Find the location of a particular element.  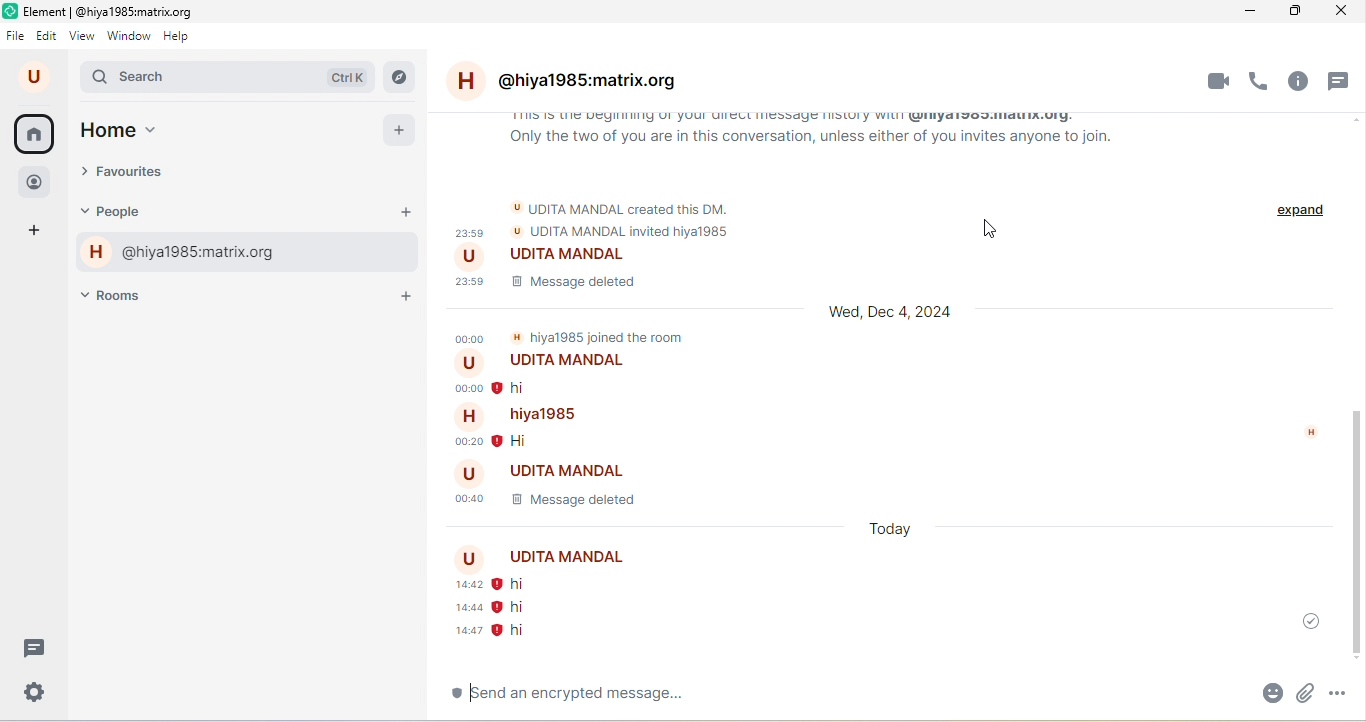

hi is located at coordinates (514, 606).